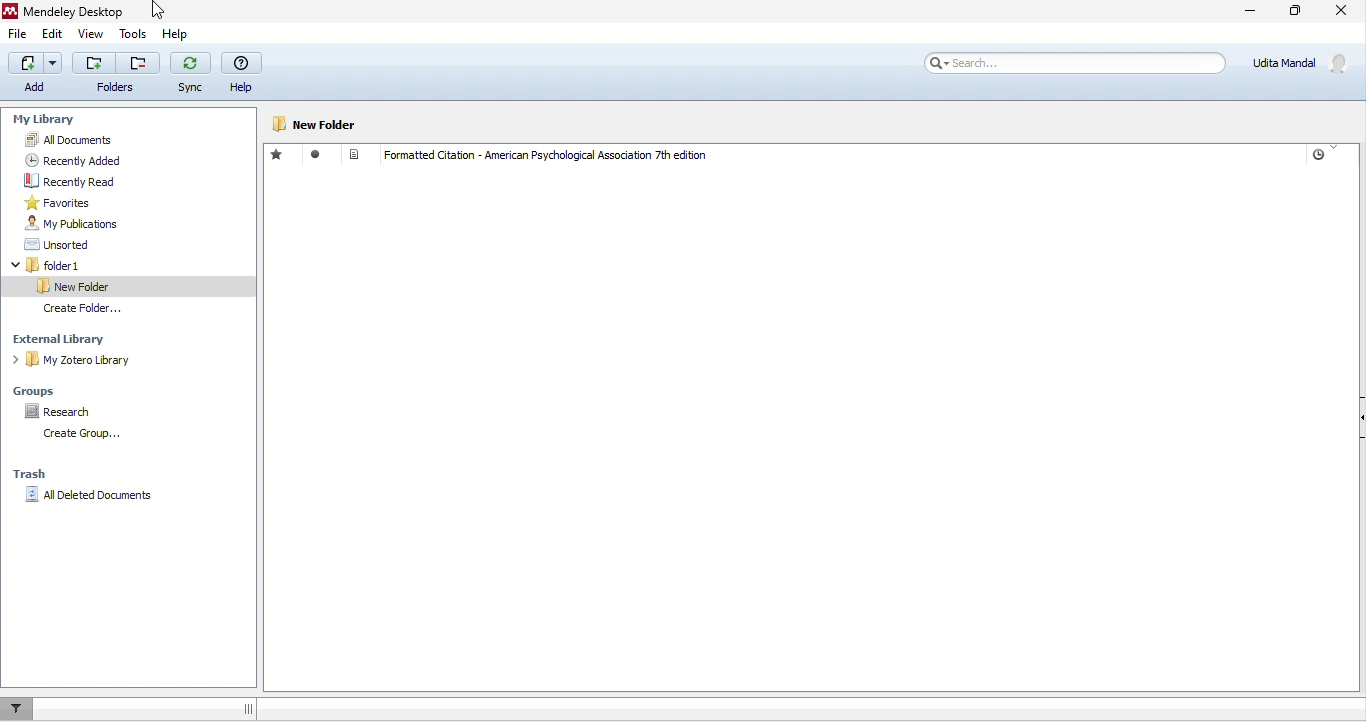  Describe the element at coordinates (1317, 155) in the screenshot. I see `Timer logo` at that location.